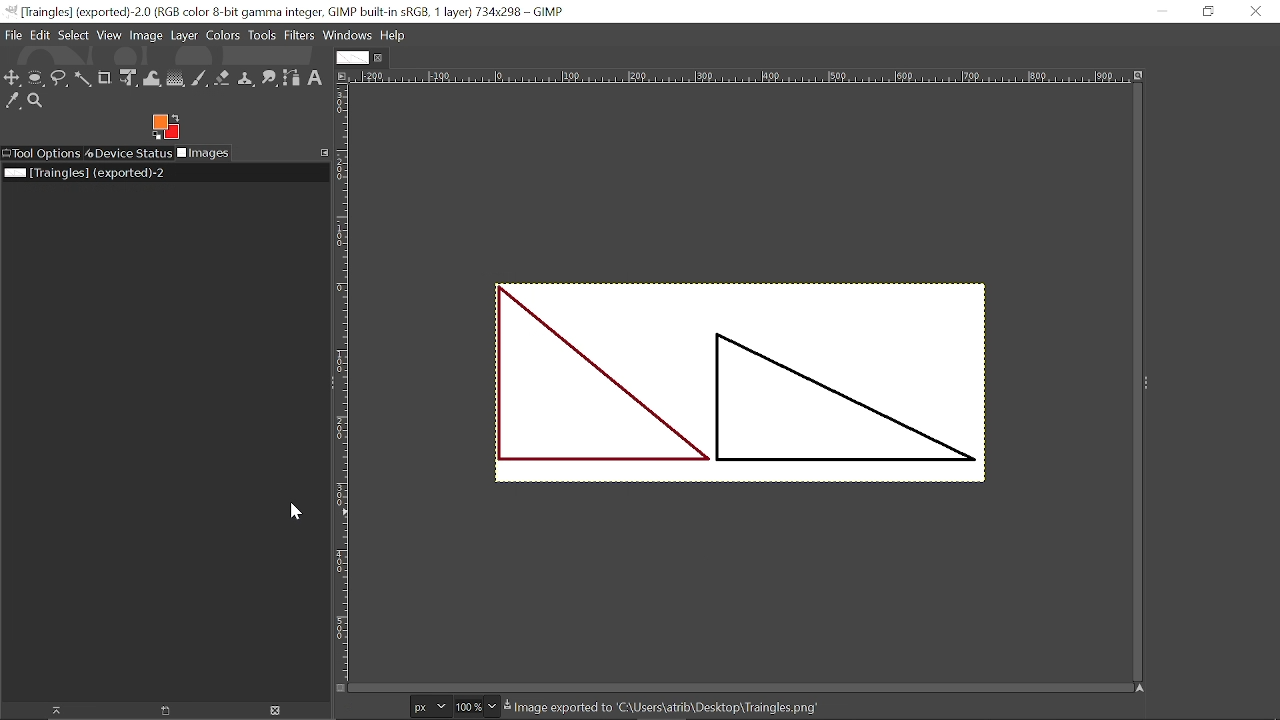 The height and width of the screenshot is (720, 1280). What do you see at coordinates (104, 79) in the screenshot?
I see `Crop tool` at bounding box center [104, 79].